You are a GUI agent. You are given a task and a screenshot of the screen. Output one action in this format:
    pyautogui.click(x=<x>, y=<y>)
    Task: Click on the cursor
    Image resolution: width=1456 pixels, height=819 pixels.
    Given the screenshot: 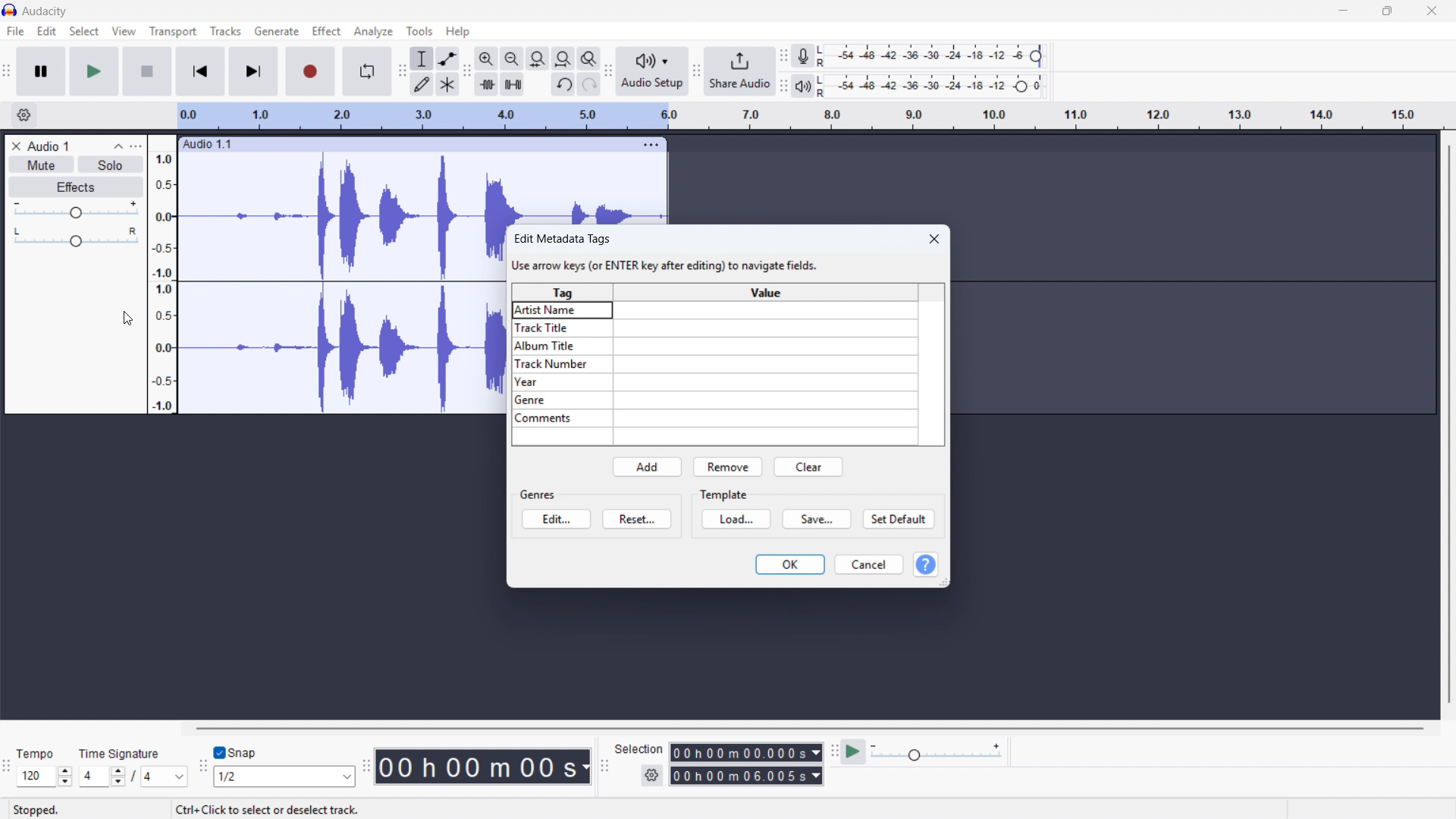 What is the action you would take?
    pyautogui.click(x=127, y=318)
    